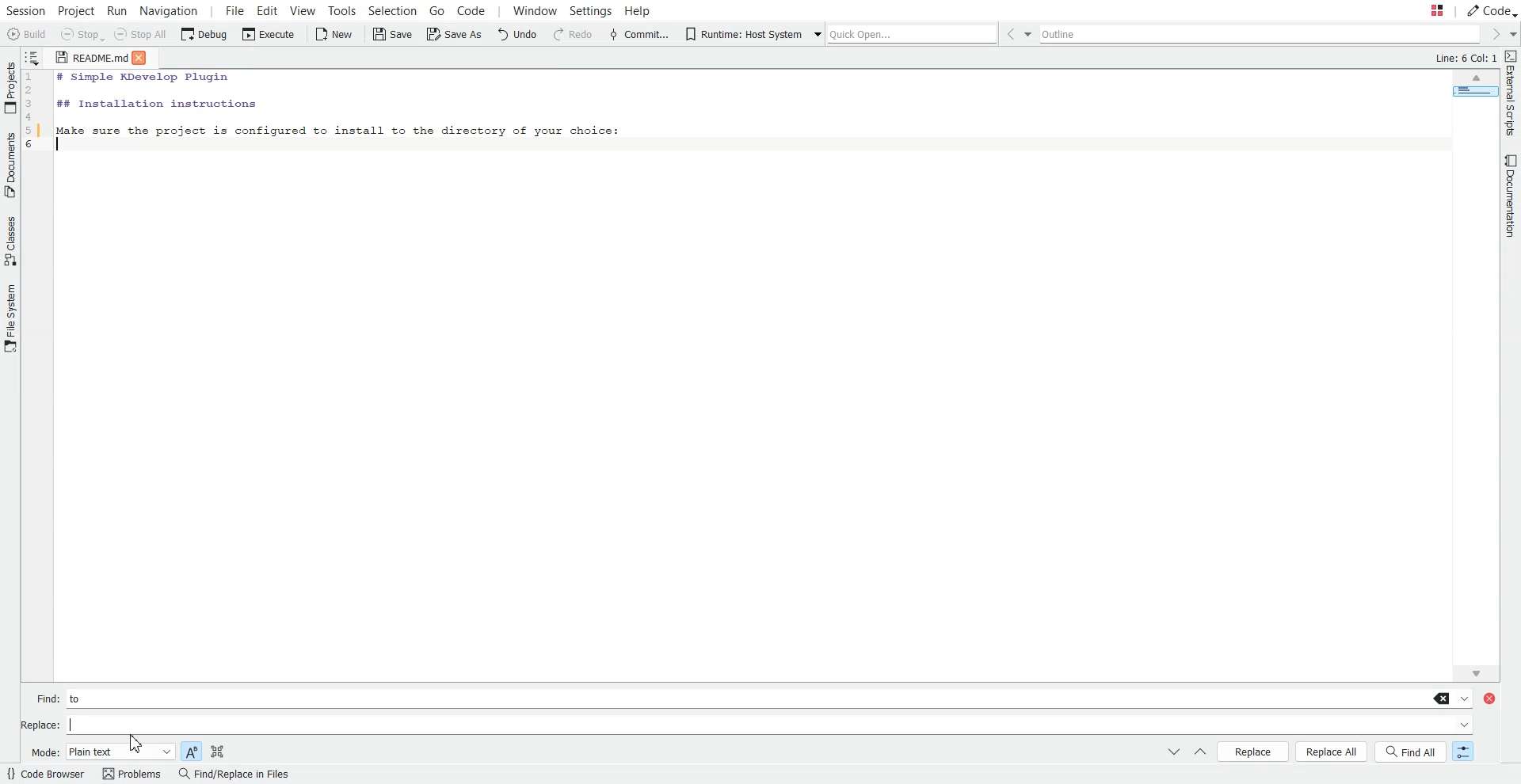  Describe the element at coordinates (1492, 699) in the screenshot. I see `Close Window` at that location.